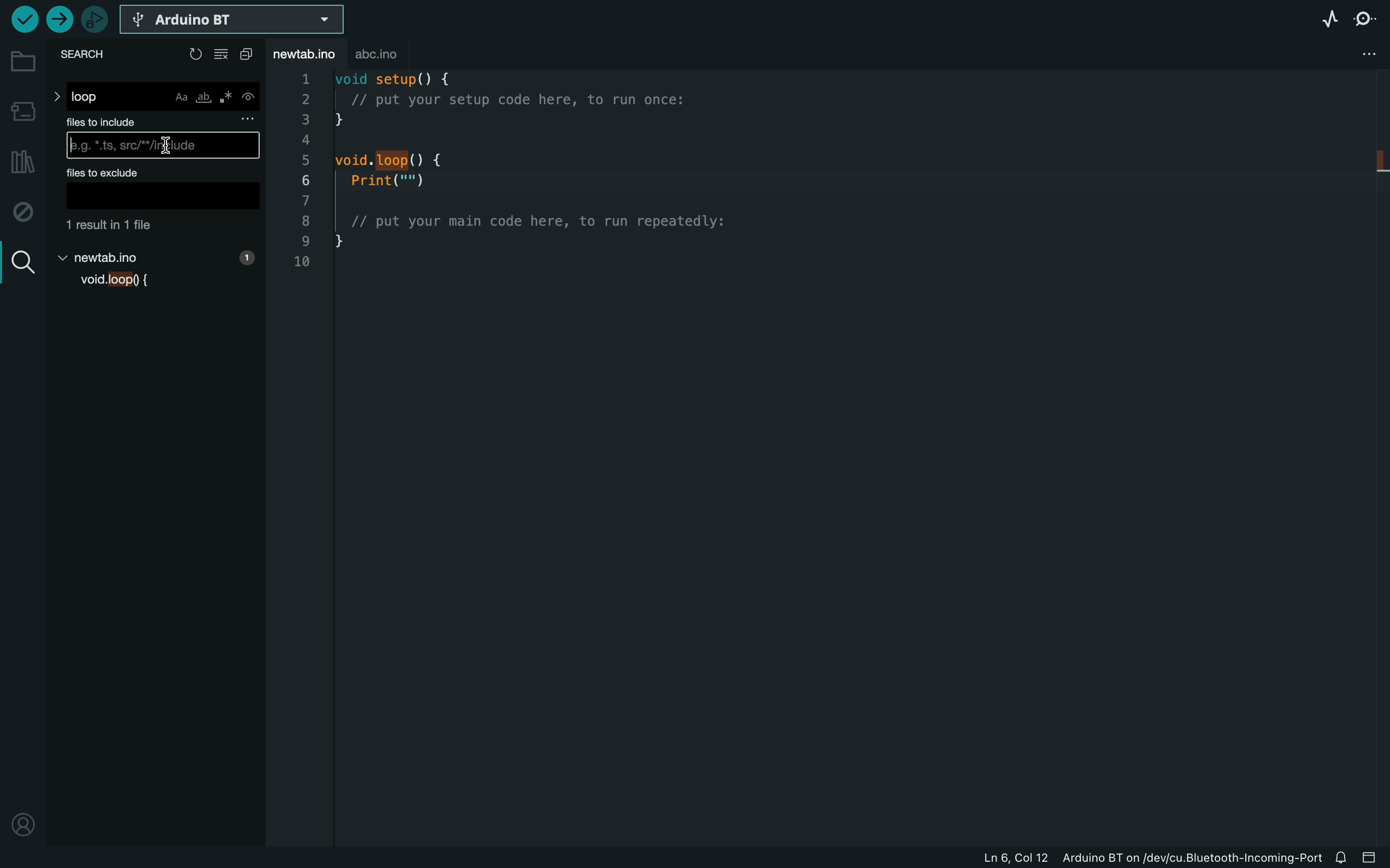 The height and width of the screenshot is (868, 1390). What do you see at coordinates (89, 55) in the screenshot?
I see `search` at bounding box center [89, 55].